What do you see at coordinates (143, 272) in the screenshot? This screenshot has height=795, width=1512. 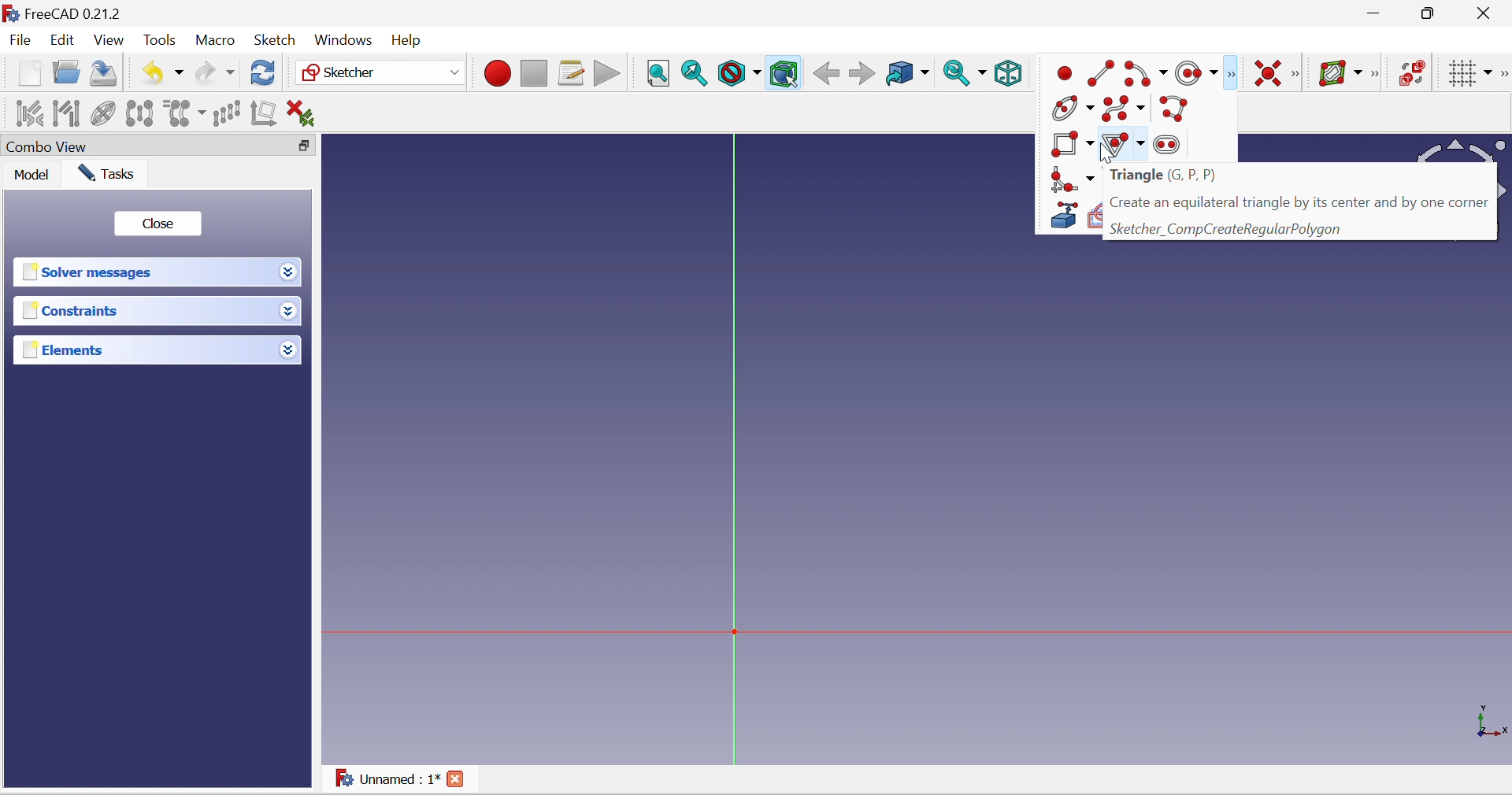 I see `Solver messages` at bounding box center [143, 272].